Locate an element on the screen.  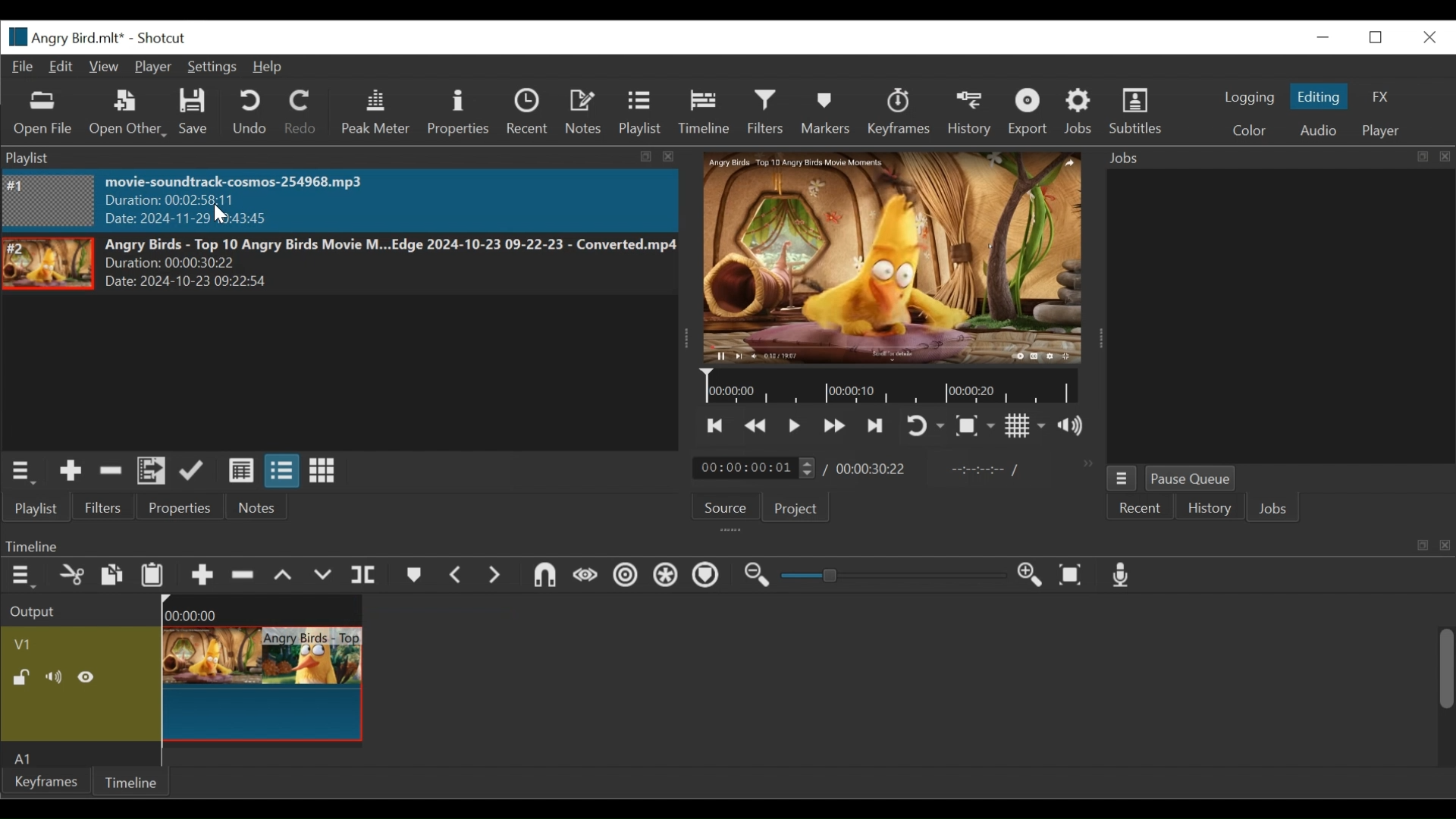
Mute is located at coordinates (56, 676).